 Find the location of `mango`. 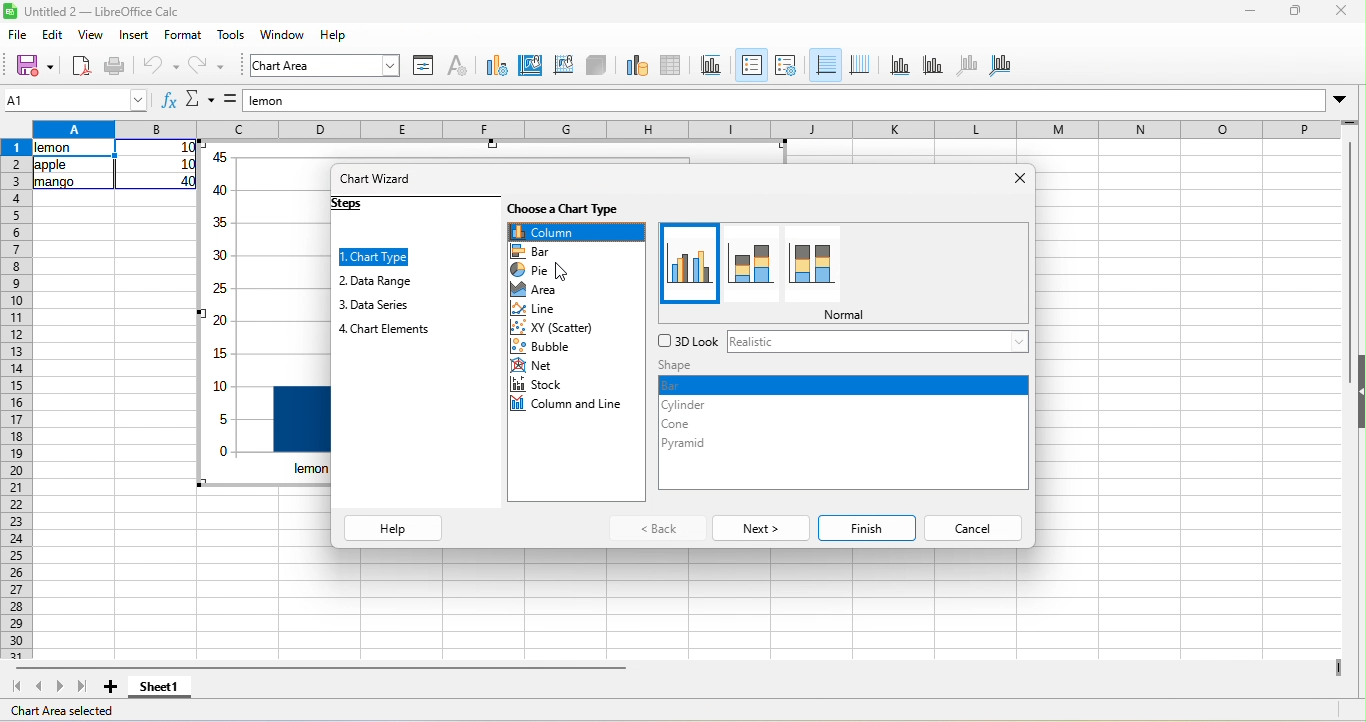

mango is located at coordinates (53, 185).